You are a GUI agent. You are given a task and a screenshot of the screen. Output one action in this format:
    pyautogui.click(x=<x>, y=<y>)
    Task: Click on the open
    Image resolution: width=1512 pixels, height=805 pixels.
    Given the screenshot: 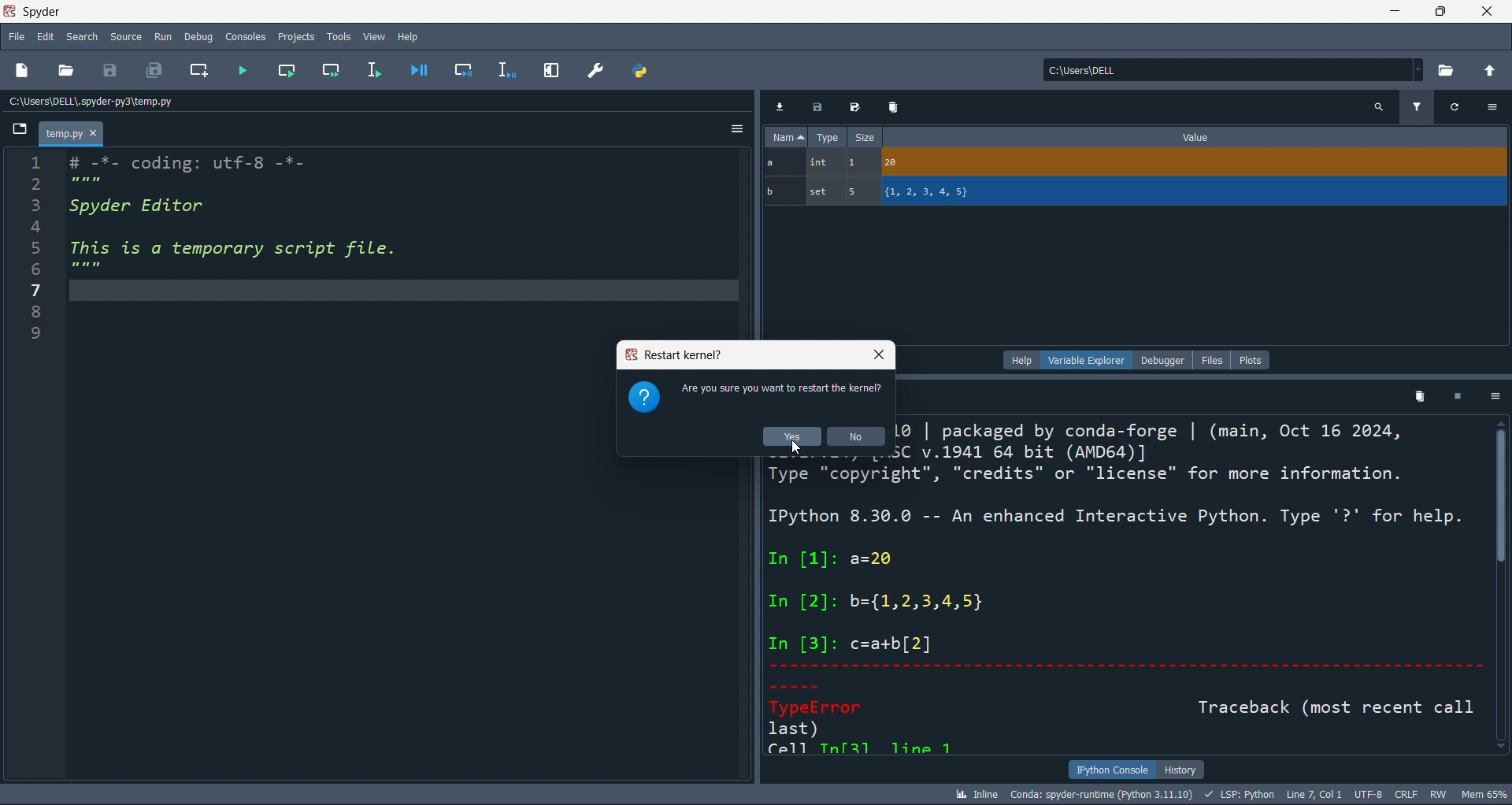 What is the action you would take?
    pyautogui.click(x=68, y=70)
    